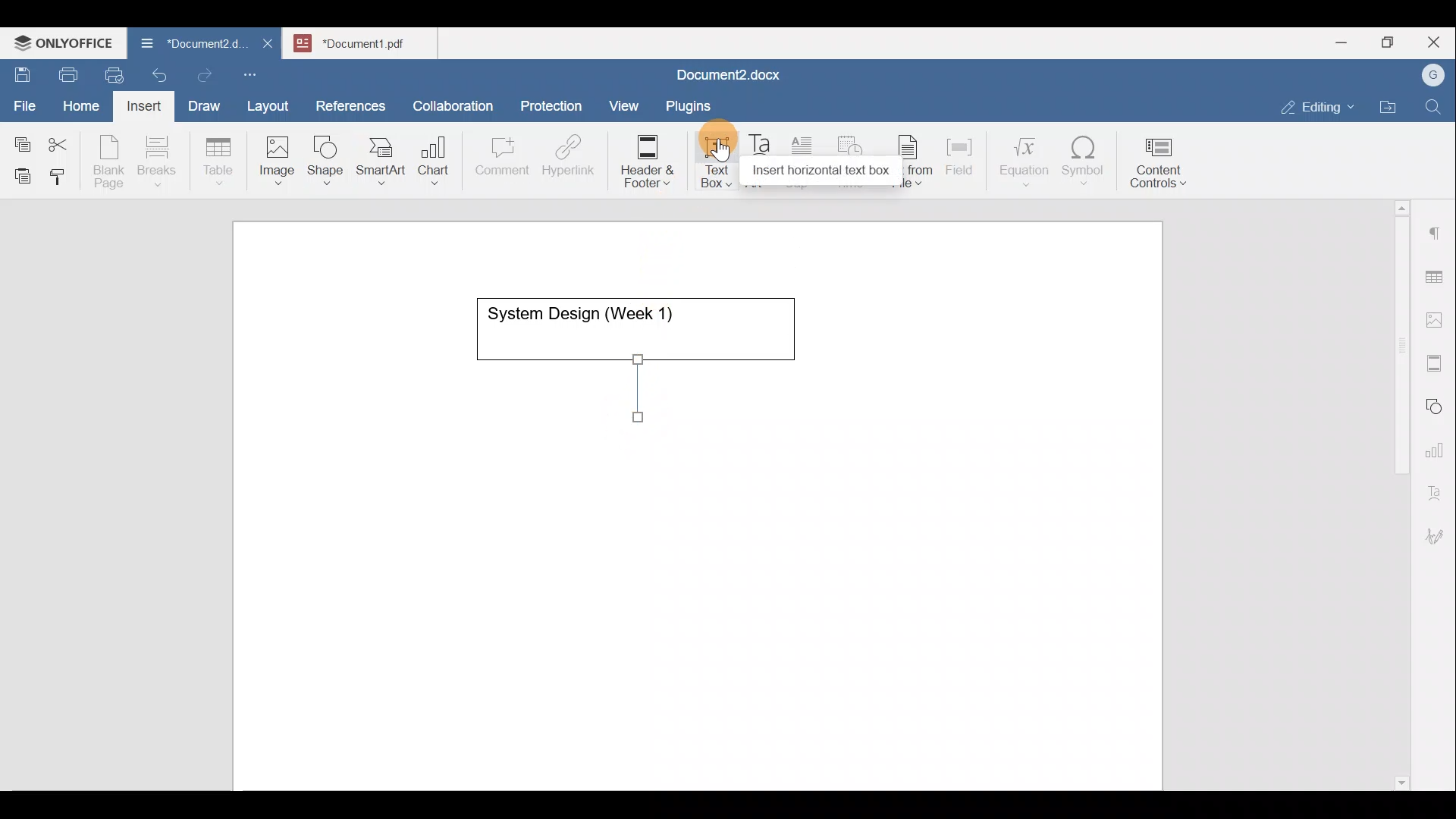 The width and height of the screenshot is (1456, 819). What do you see at coordinates (1396, 492) in the screenshot?
I see `Scroll bar` at bounding box center [1396, 492].